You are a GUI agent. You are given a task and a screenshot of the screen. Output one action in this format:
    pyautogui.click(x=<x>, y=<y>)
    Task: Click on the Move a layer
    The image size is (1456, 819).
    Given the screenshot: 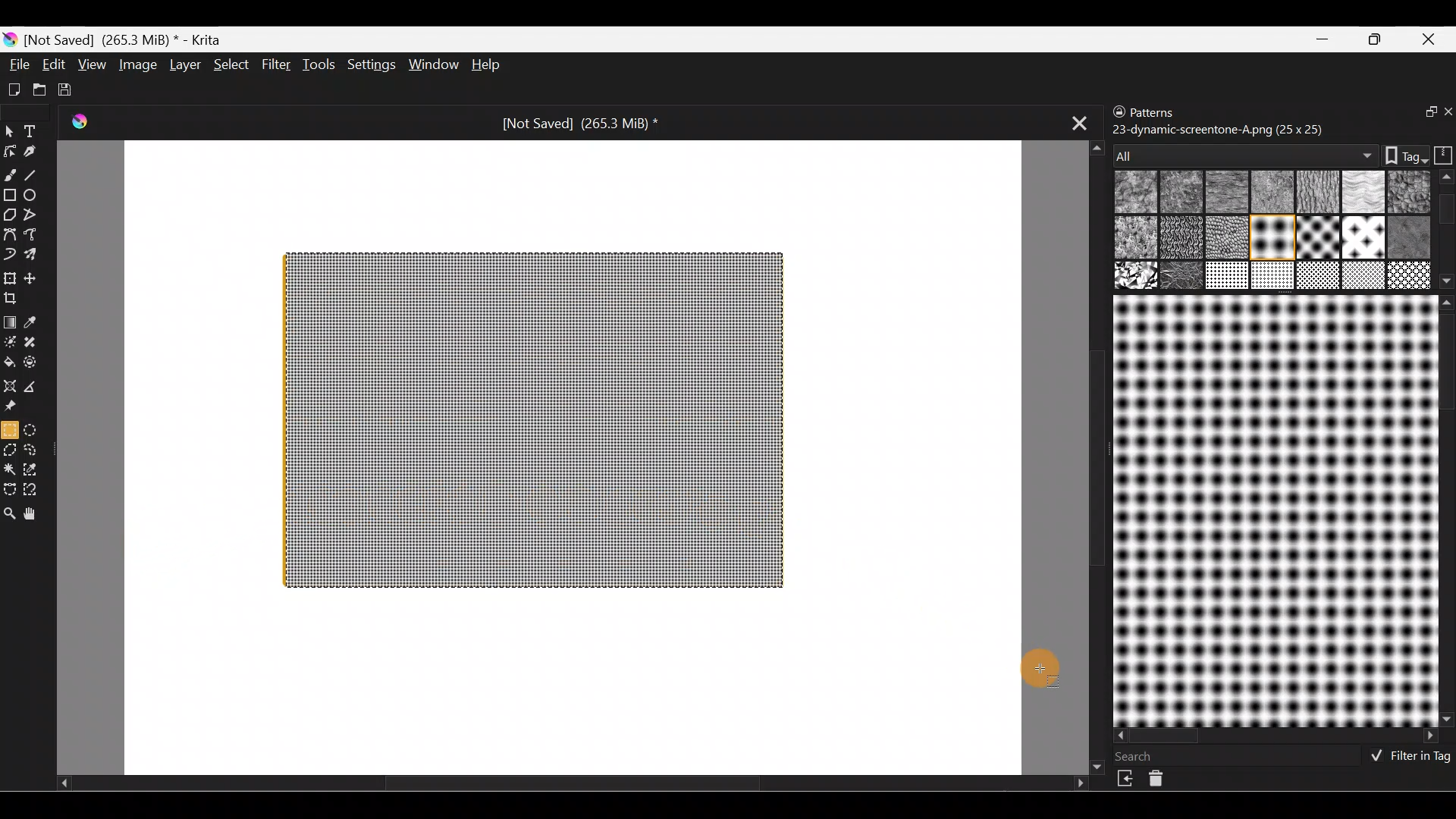 What is the action you would take?
    pyautogui.click(x=37, y=277)
    